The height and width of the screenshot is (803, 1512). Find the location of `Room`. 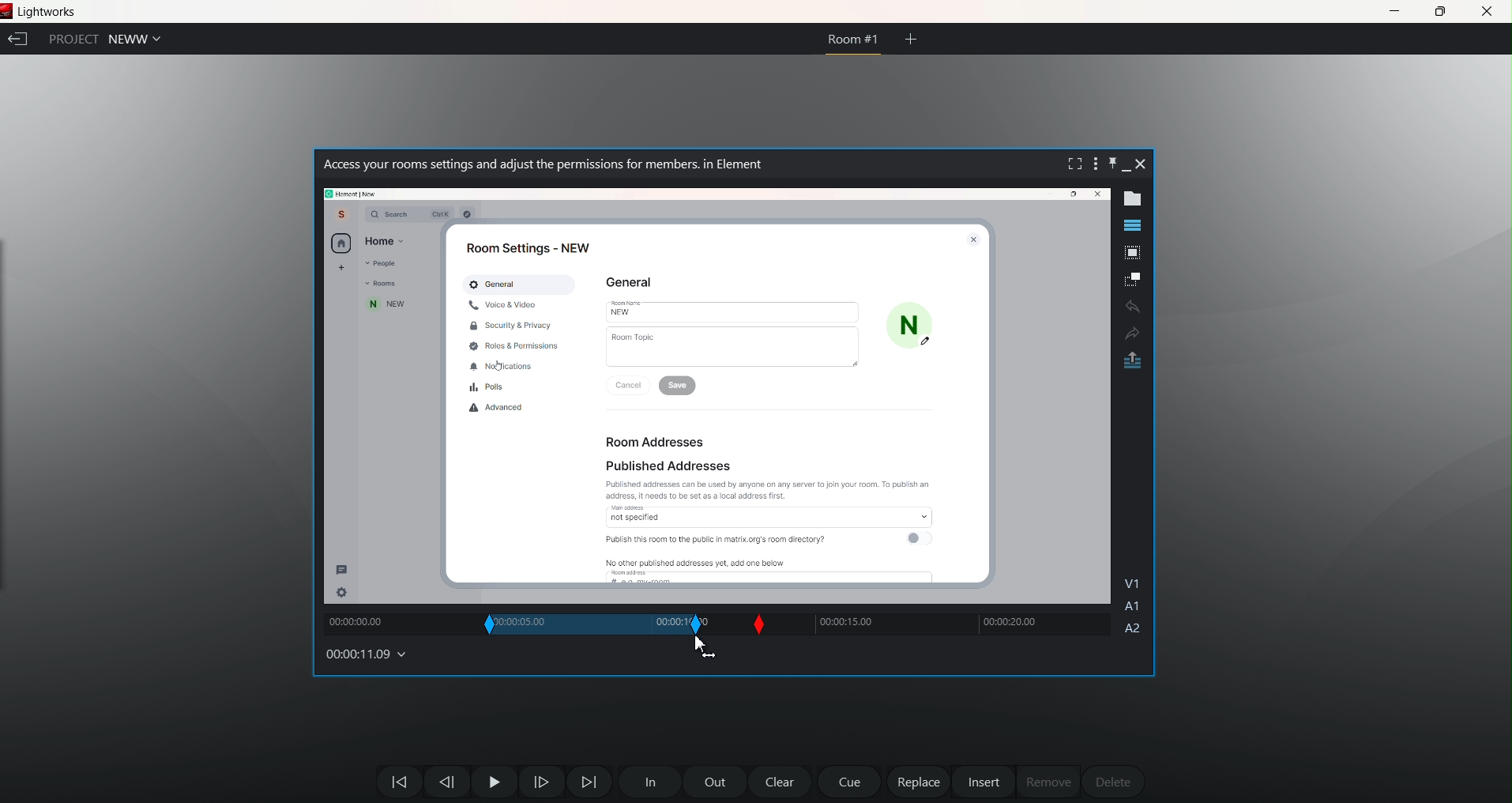

Room is located at coordinates (386, 283).